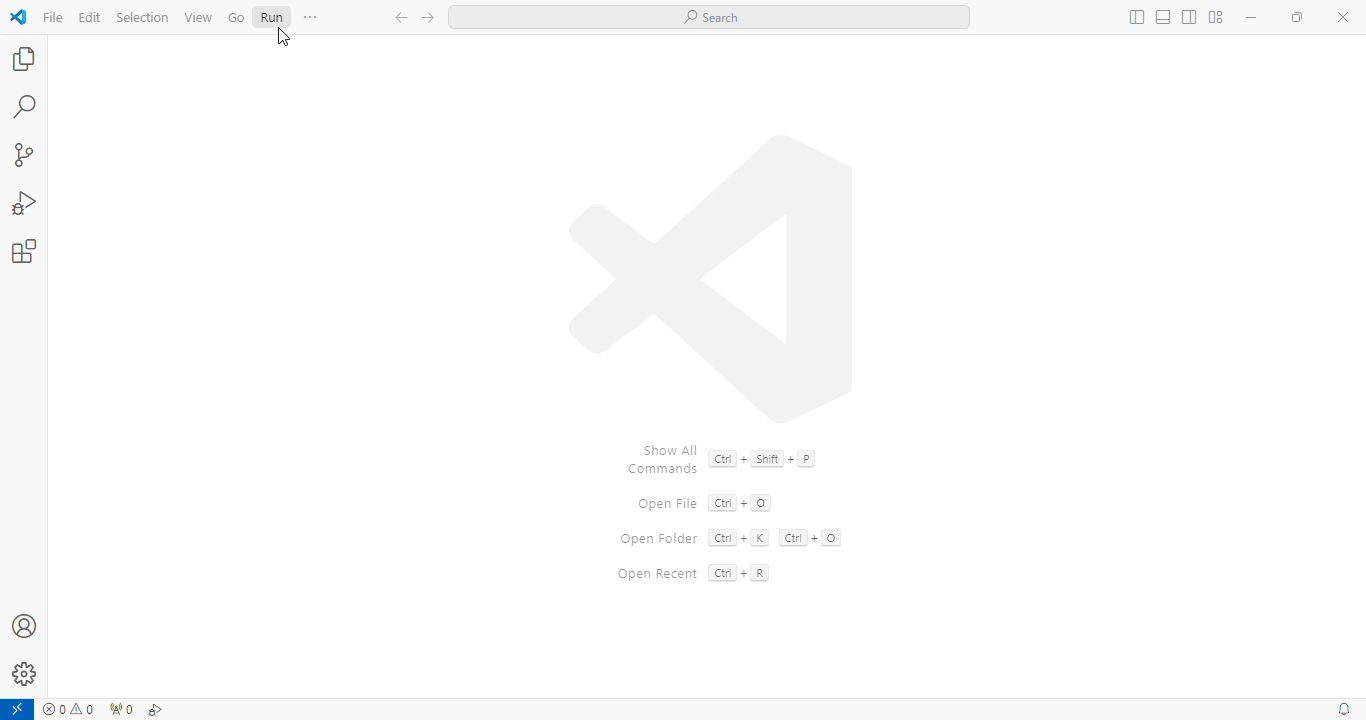 Image resolution: width=1366 pixels, height=720 pixels. I want to click on logo, so click(713, 277).